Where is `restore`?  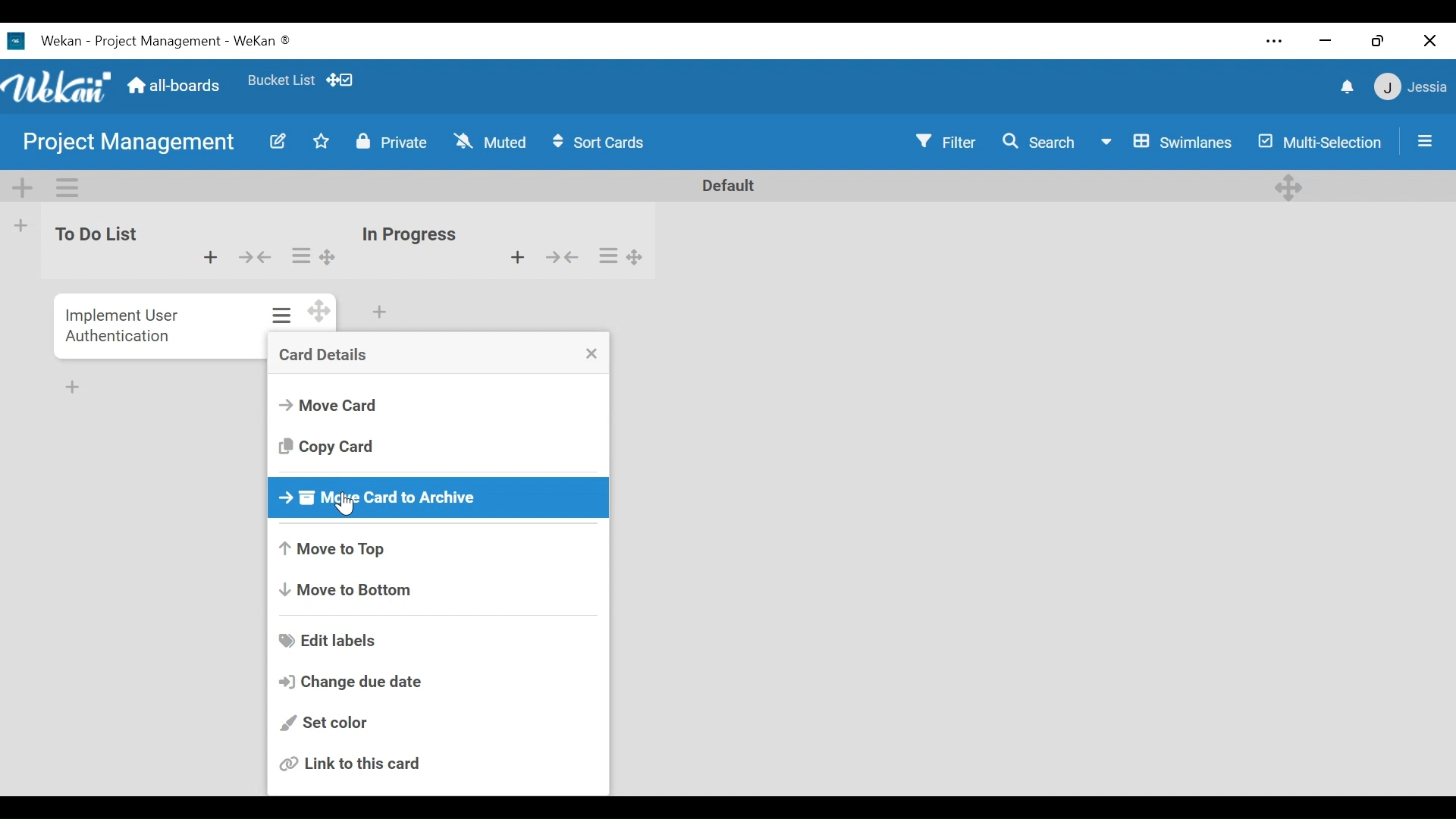 restore is located at coordinates (1377, 40).